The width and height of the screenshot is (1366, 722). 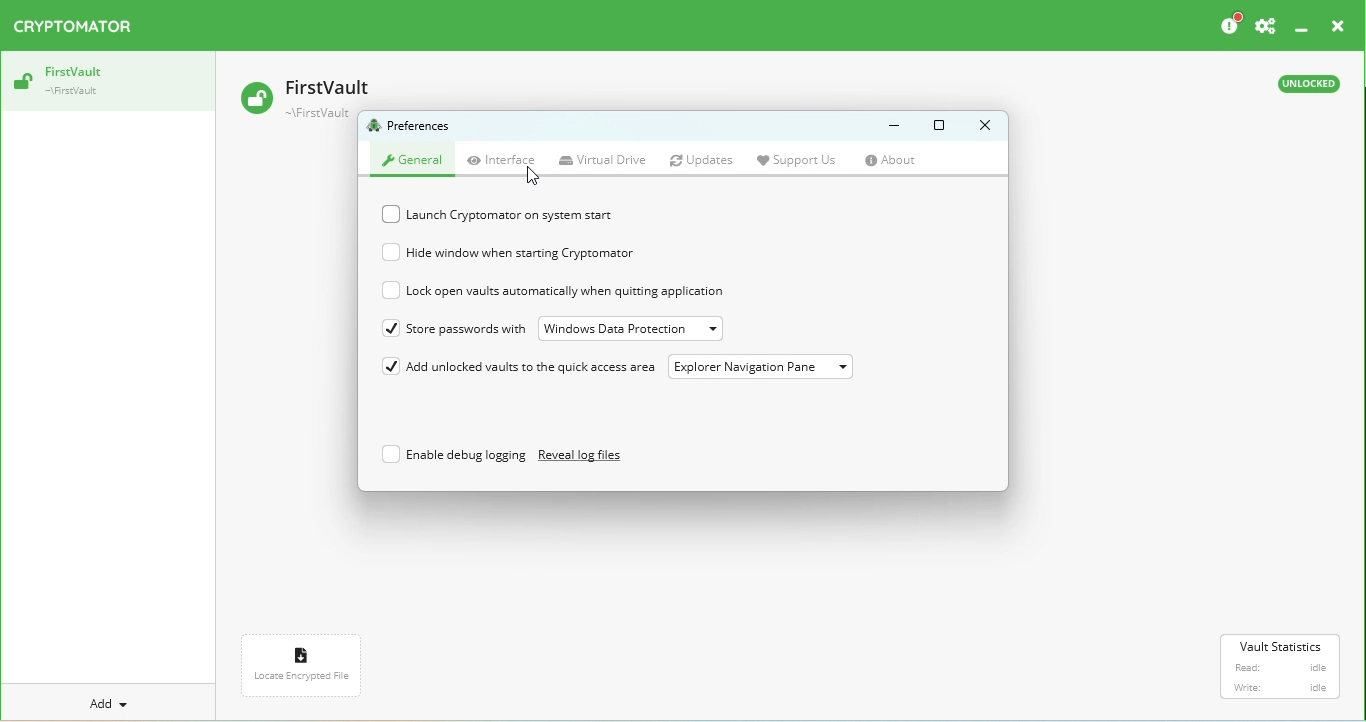 What do you see at coordinates (449, 457) in the screenshot?
I see `Enable debug logging` at bounding box center [449, 457].